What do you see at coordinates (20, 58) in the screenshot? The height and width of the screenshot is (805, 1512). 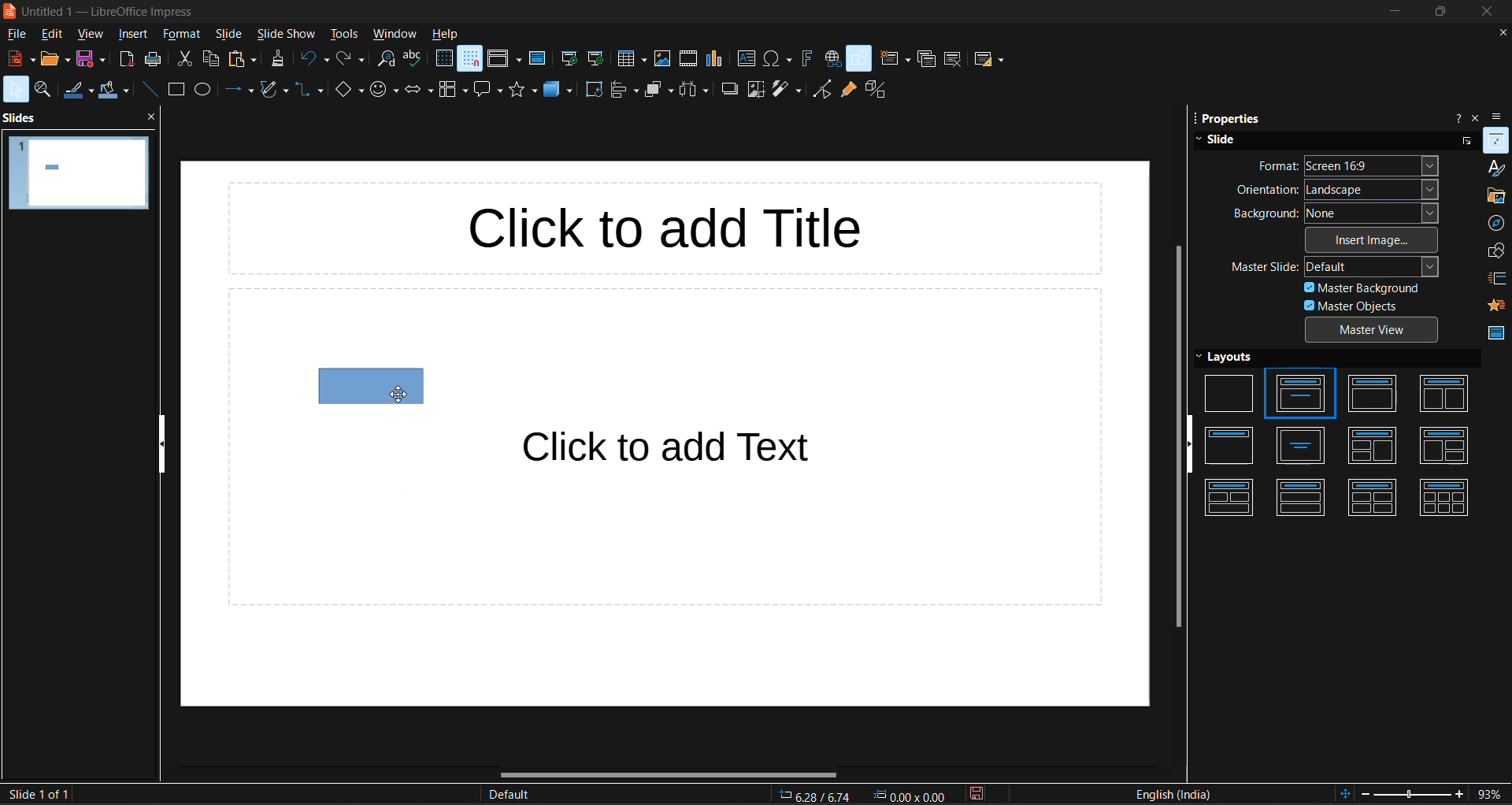 I see `new` at bounding box center [20, 58].